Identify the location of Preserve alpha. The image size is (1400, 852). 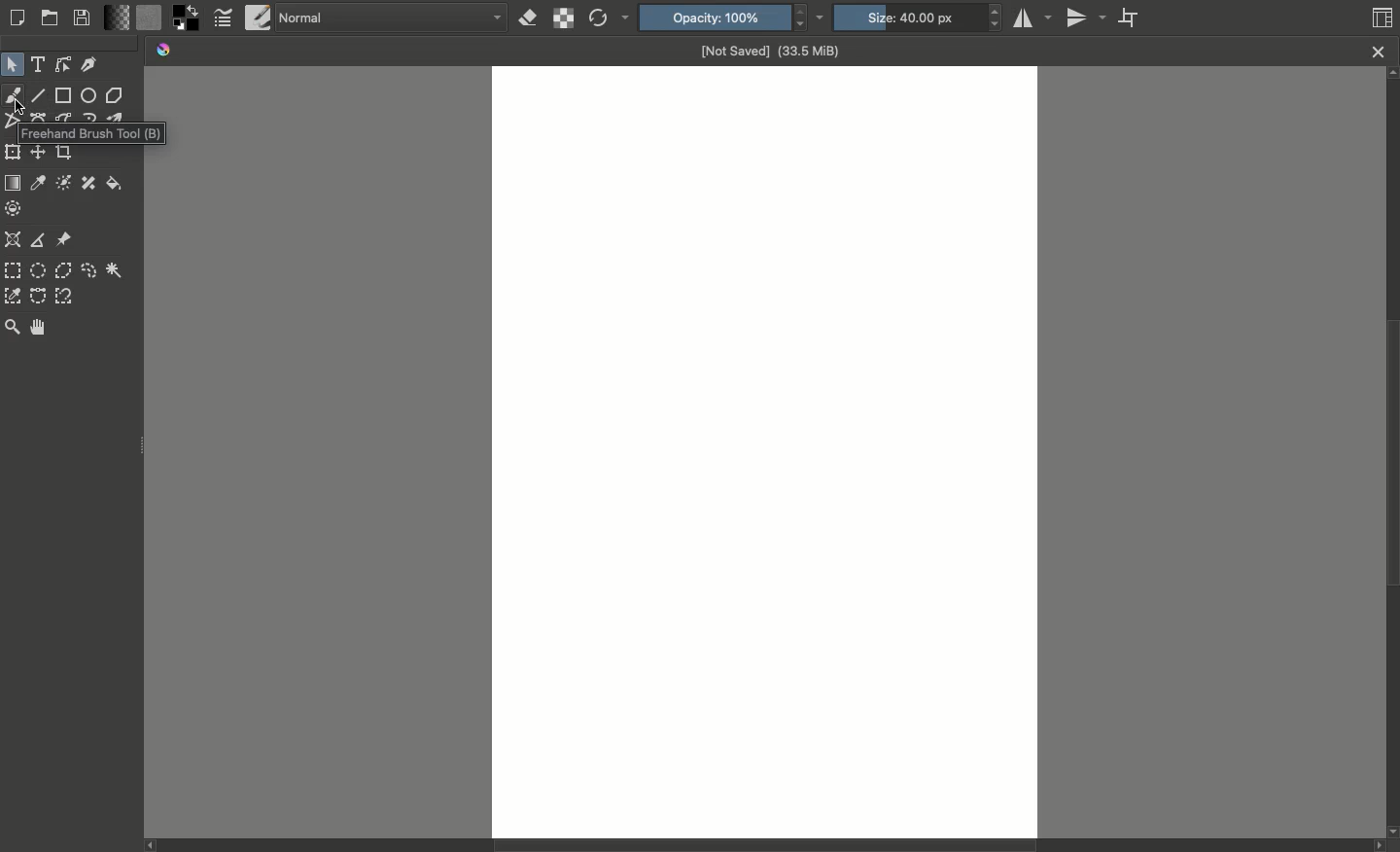
(562, 18).